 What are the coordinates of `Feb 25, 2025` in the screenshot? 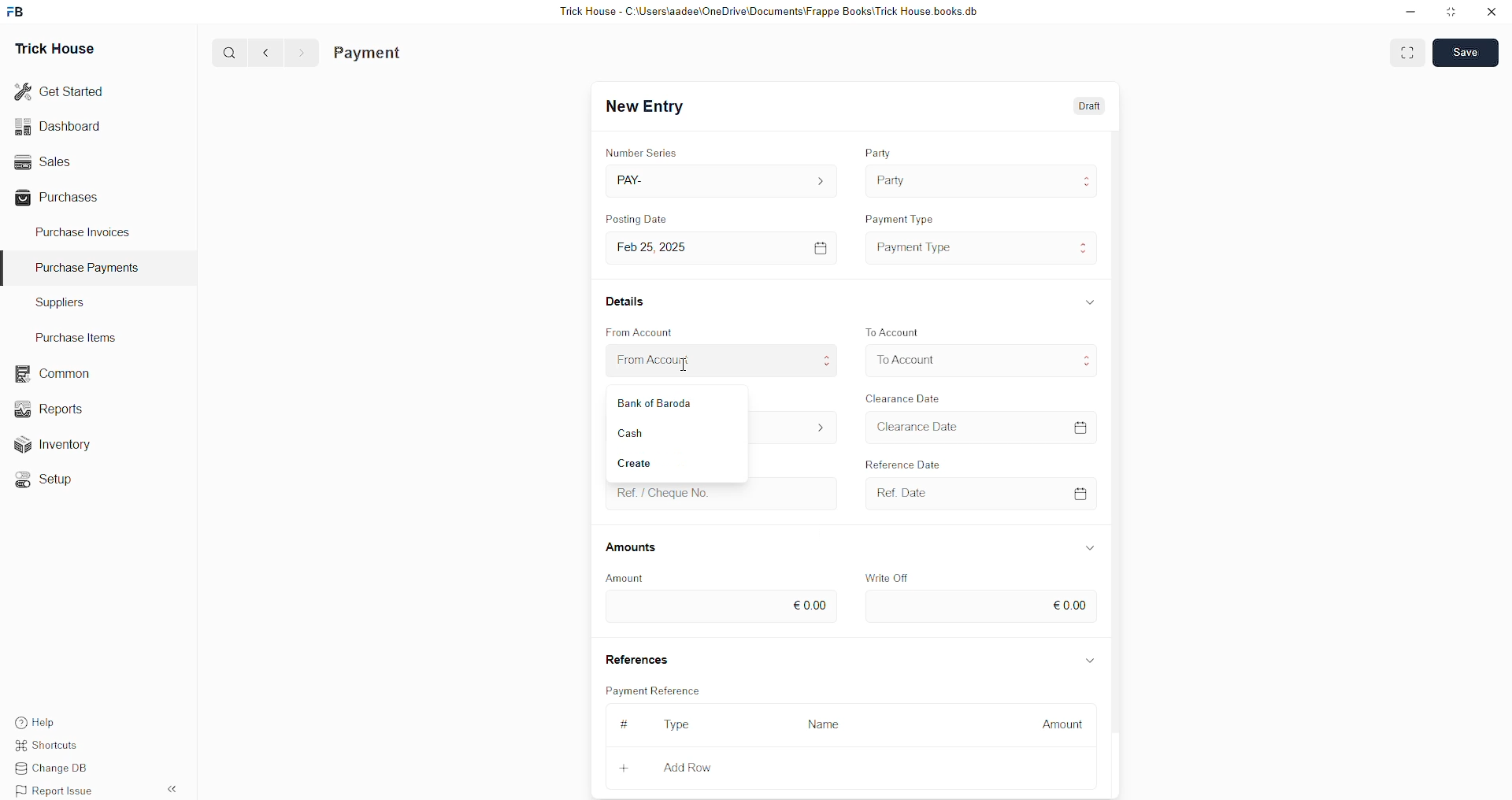 It's located at (663, 247).